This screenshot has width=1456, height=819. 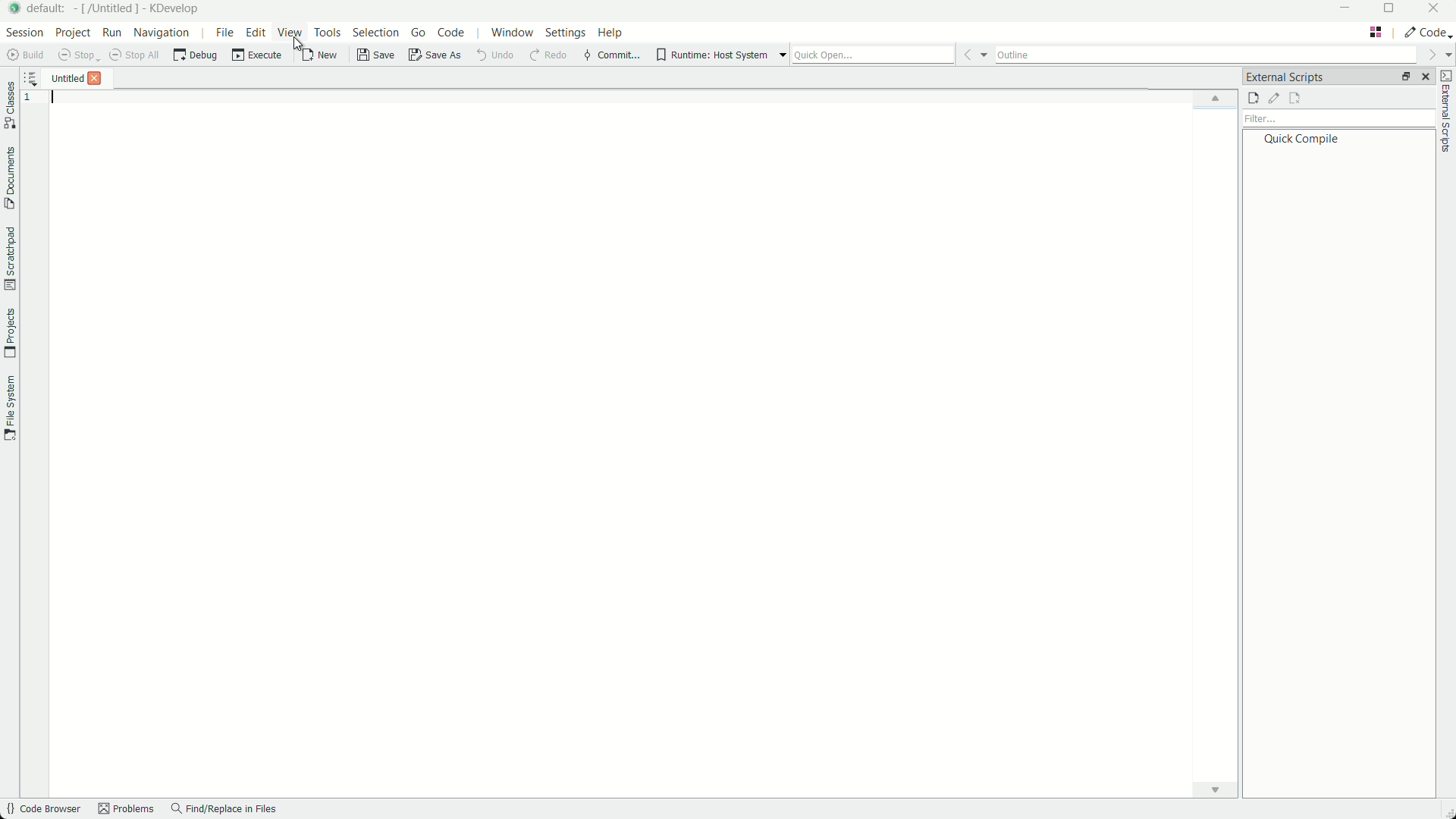 What do you see at coordinates (325, 56) in the screenshot?
I see `new file` at bounding box center [325, 56].